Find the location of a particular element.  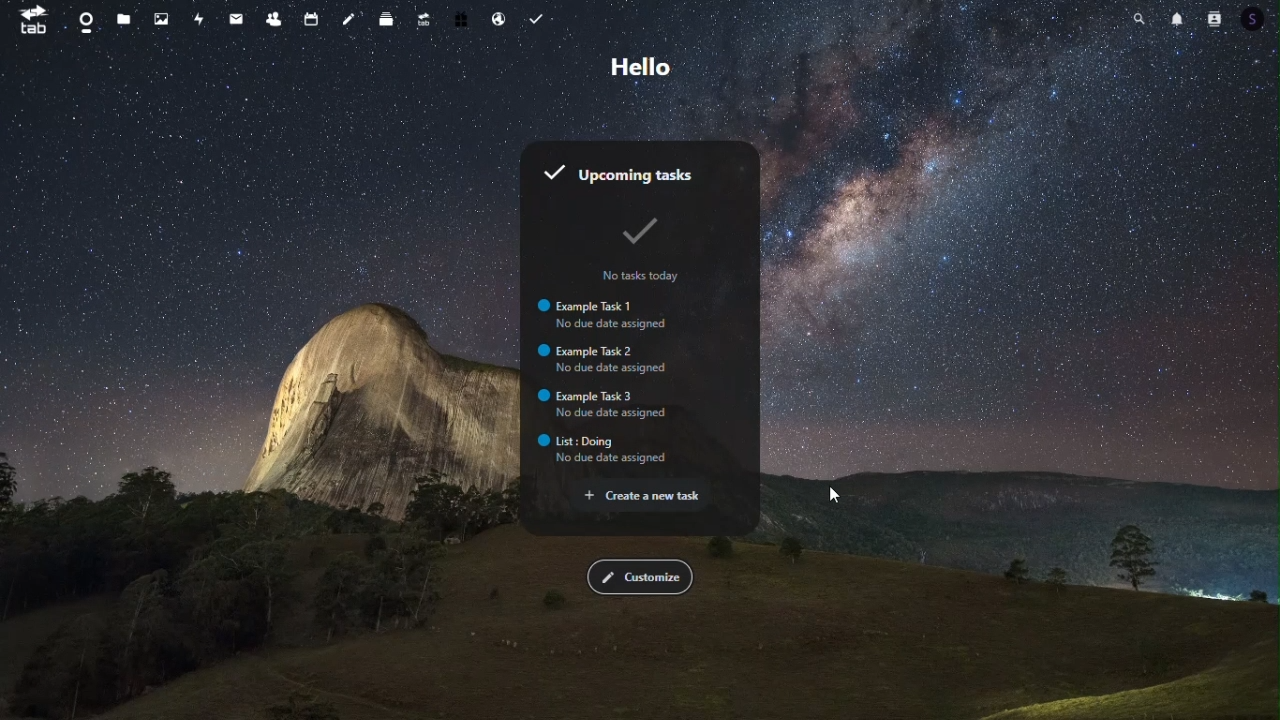

Account icon is located at coordinates (1213, 19).